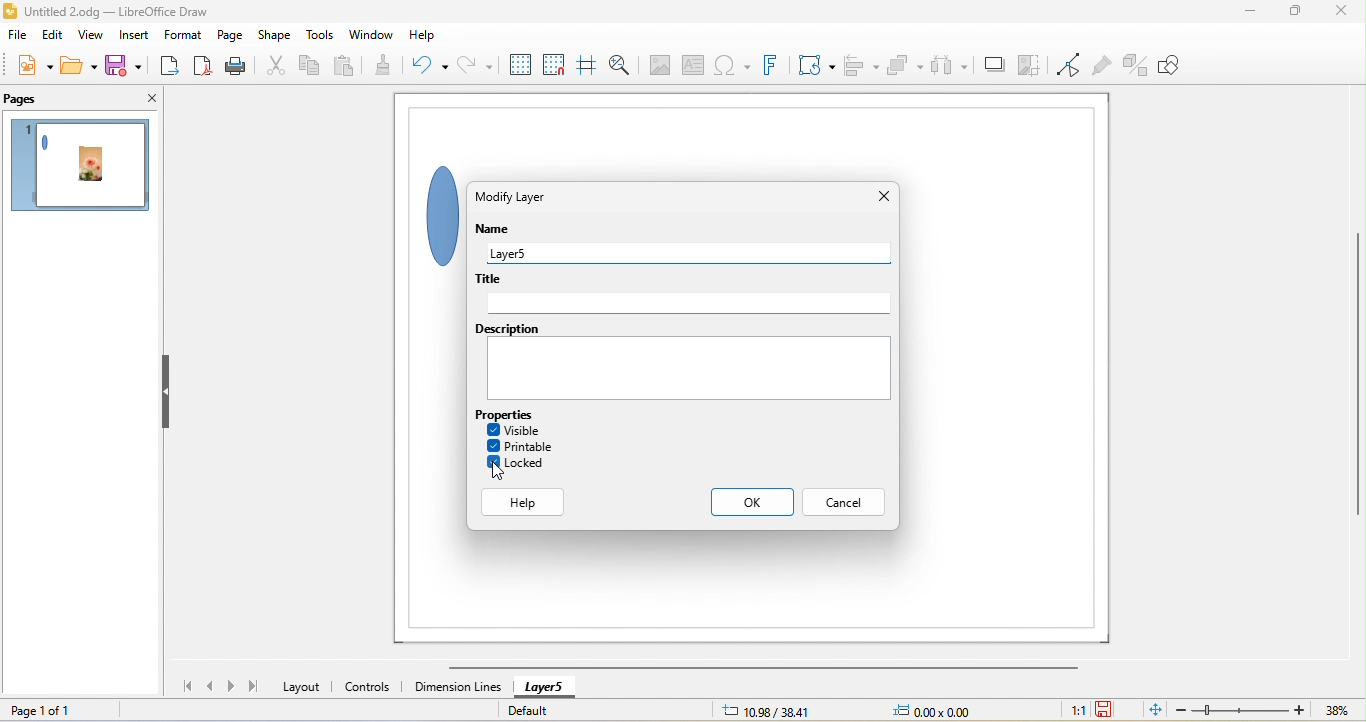  What do you see at coordinates (499, 470) in the screenshot?
I see `cursor movement` at bounding box center [499, 470].